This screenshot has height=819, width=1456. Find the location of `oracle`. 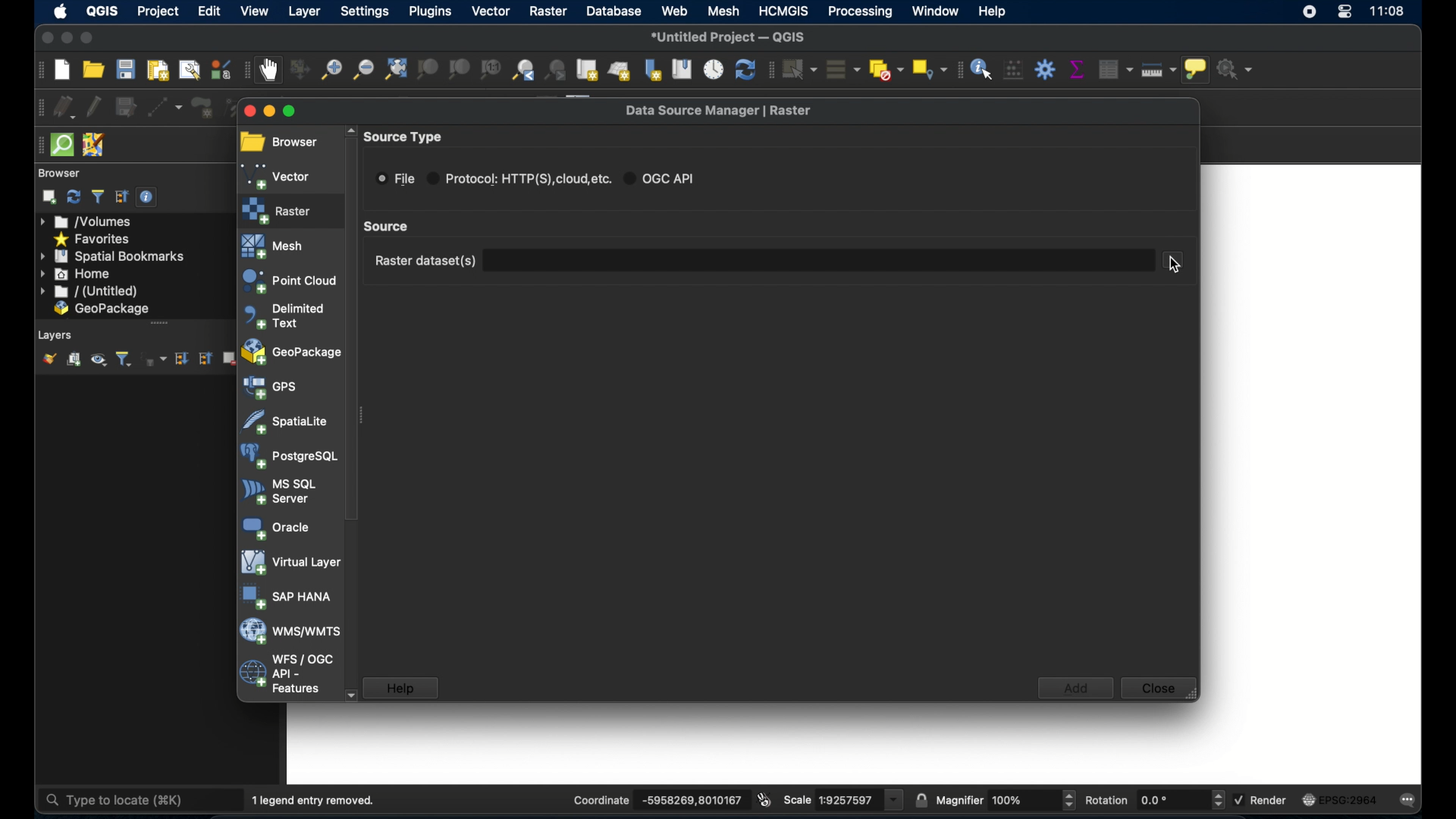

oracle is located at coordinates (280, 527).